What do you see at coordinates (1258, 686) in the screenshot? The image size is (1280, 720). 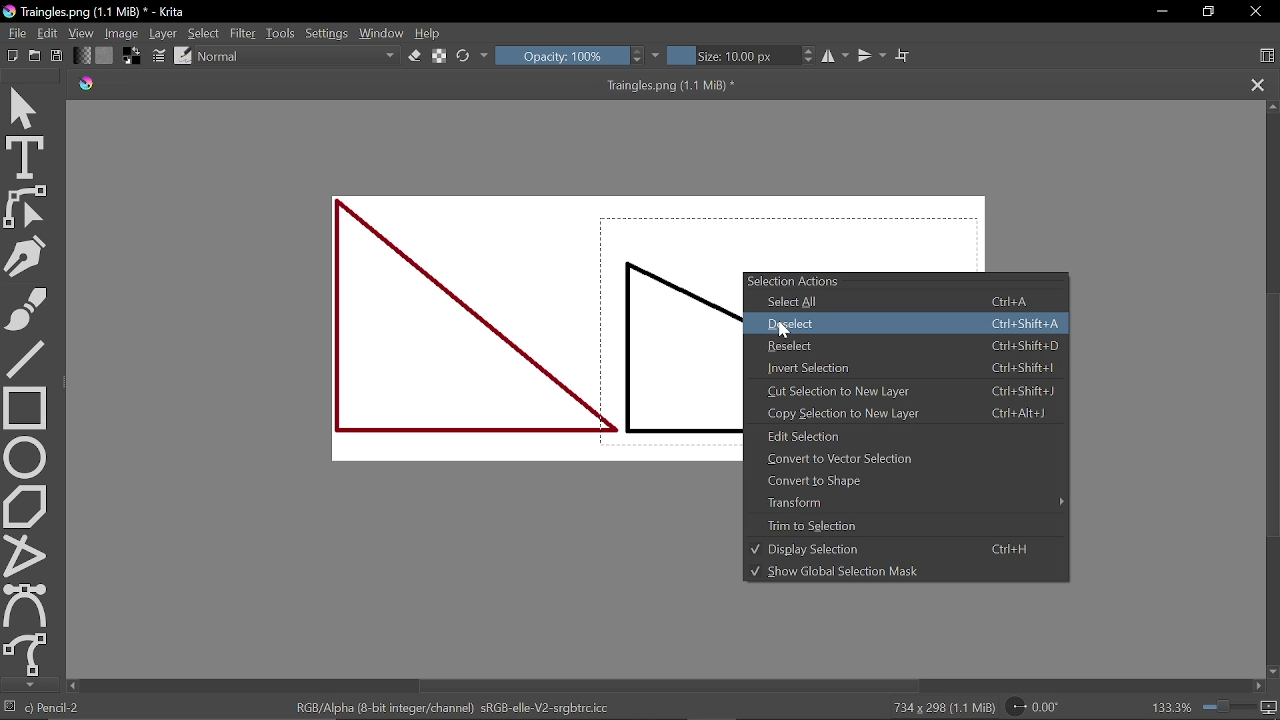 I see `Move left` at bounding box center [1258, 686].